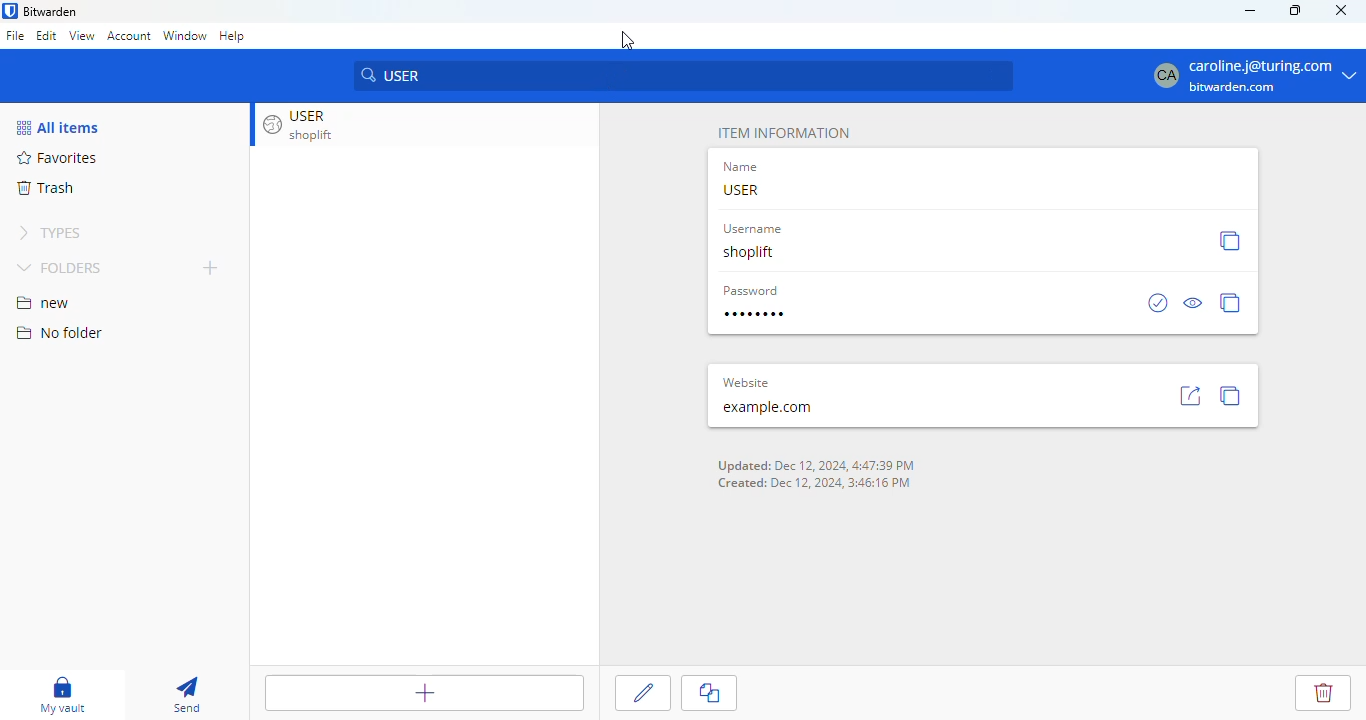 Image resolution: width=1366 pixels, height=720 pixels. Describe the element at coordinates (744, 190) in the screenshot. I see `USER` at that location.